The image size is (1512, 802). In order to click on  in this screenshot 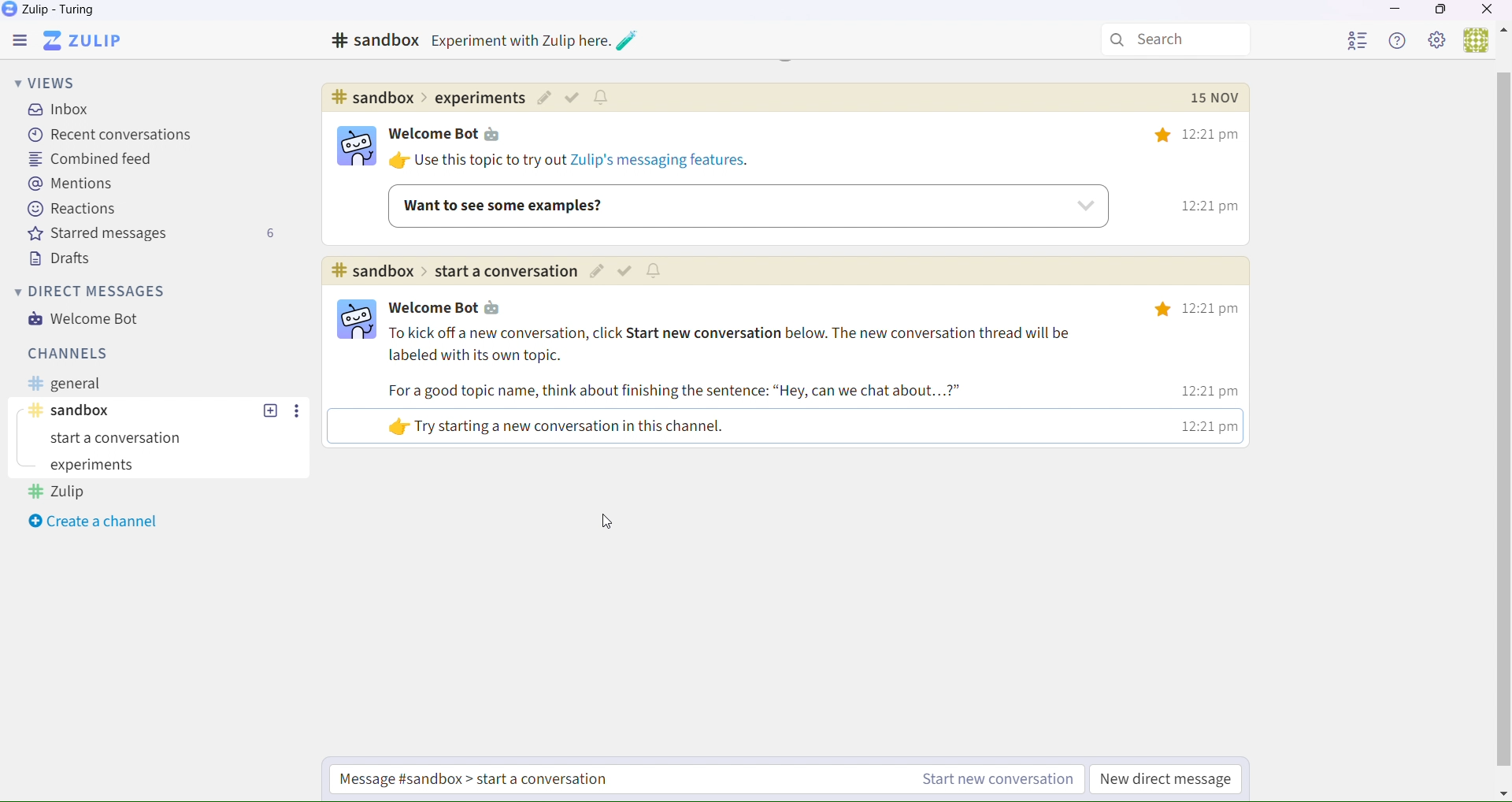, I will do `click(270, 410)`.